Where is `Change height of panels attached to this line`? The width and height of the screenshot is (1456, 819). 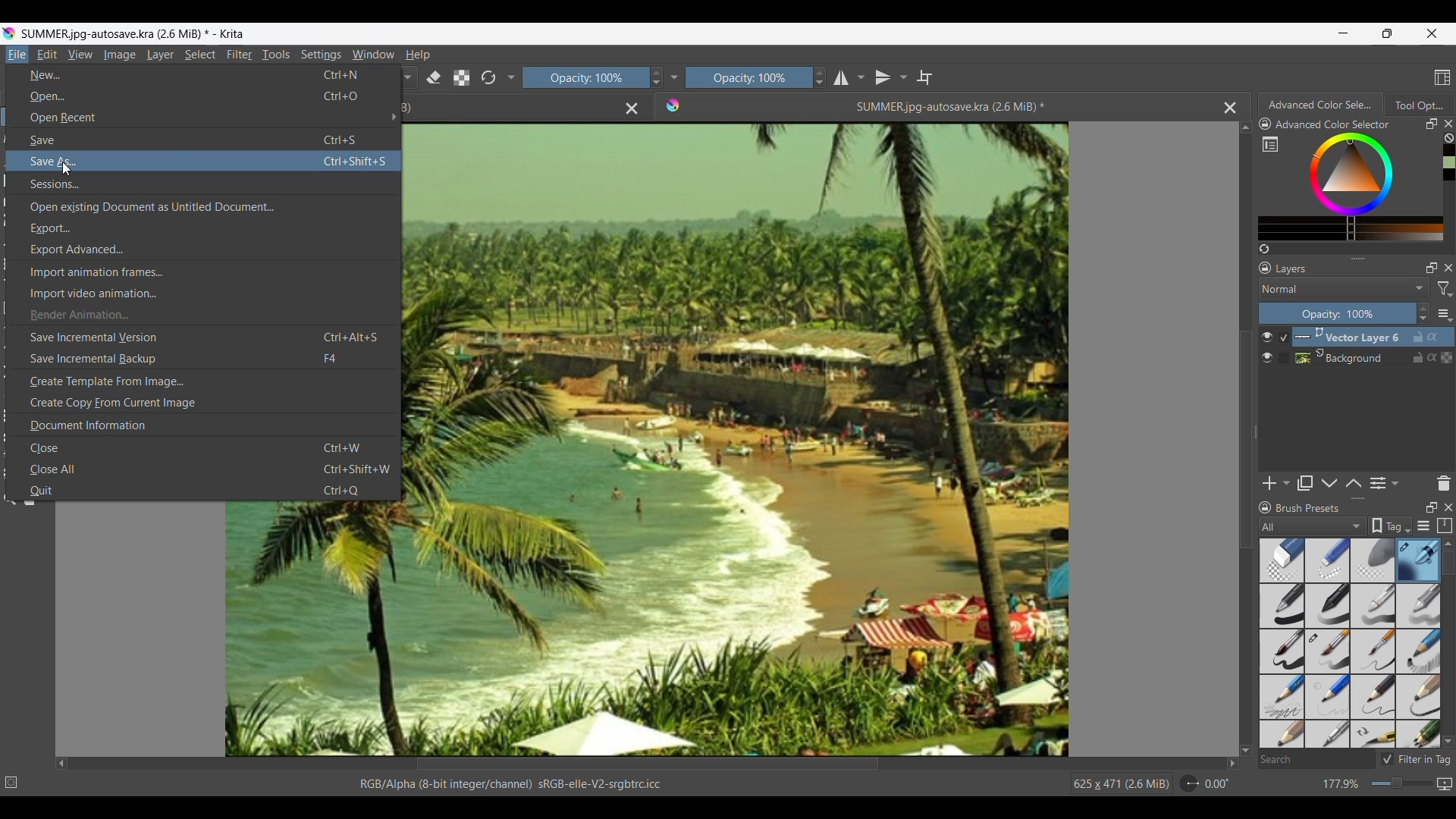 Change height of panels attached to this line is located at coordinates (1338, 258).